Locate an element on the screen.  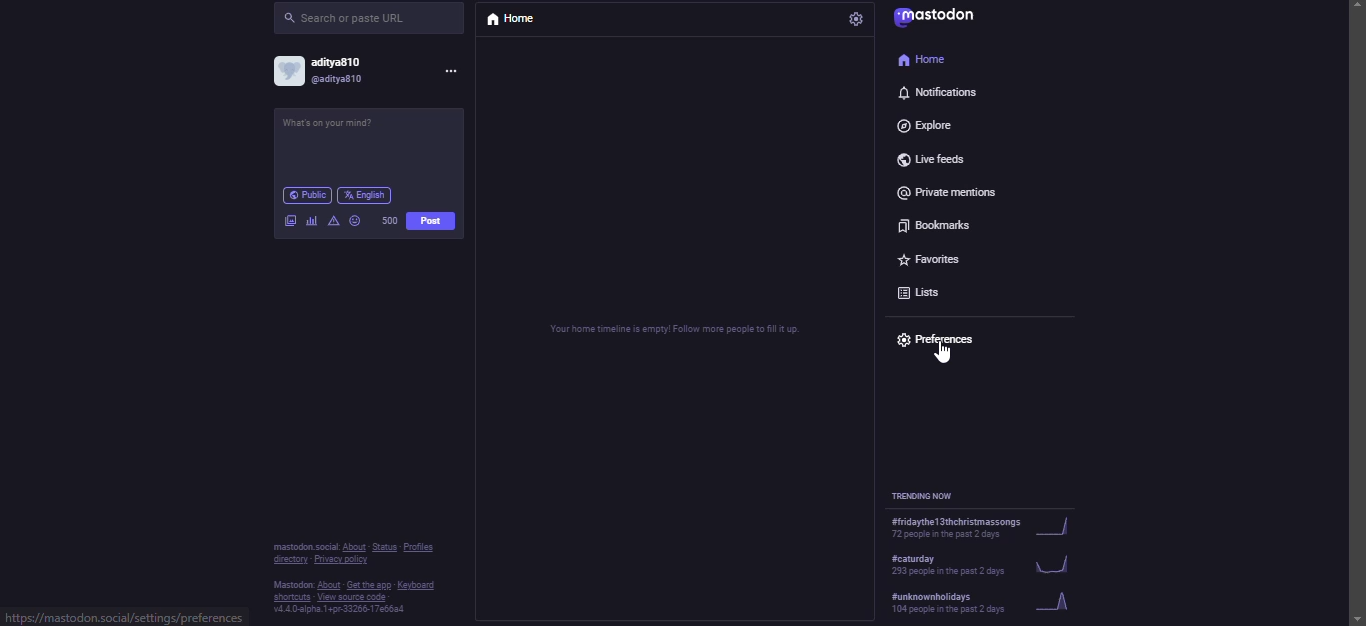
preferences is located at coordinates (941, 340).